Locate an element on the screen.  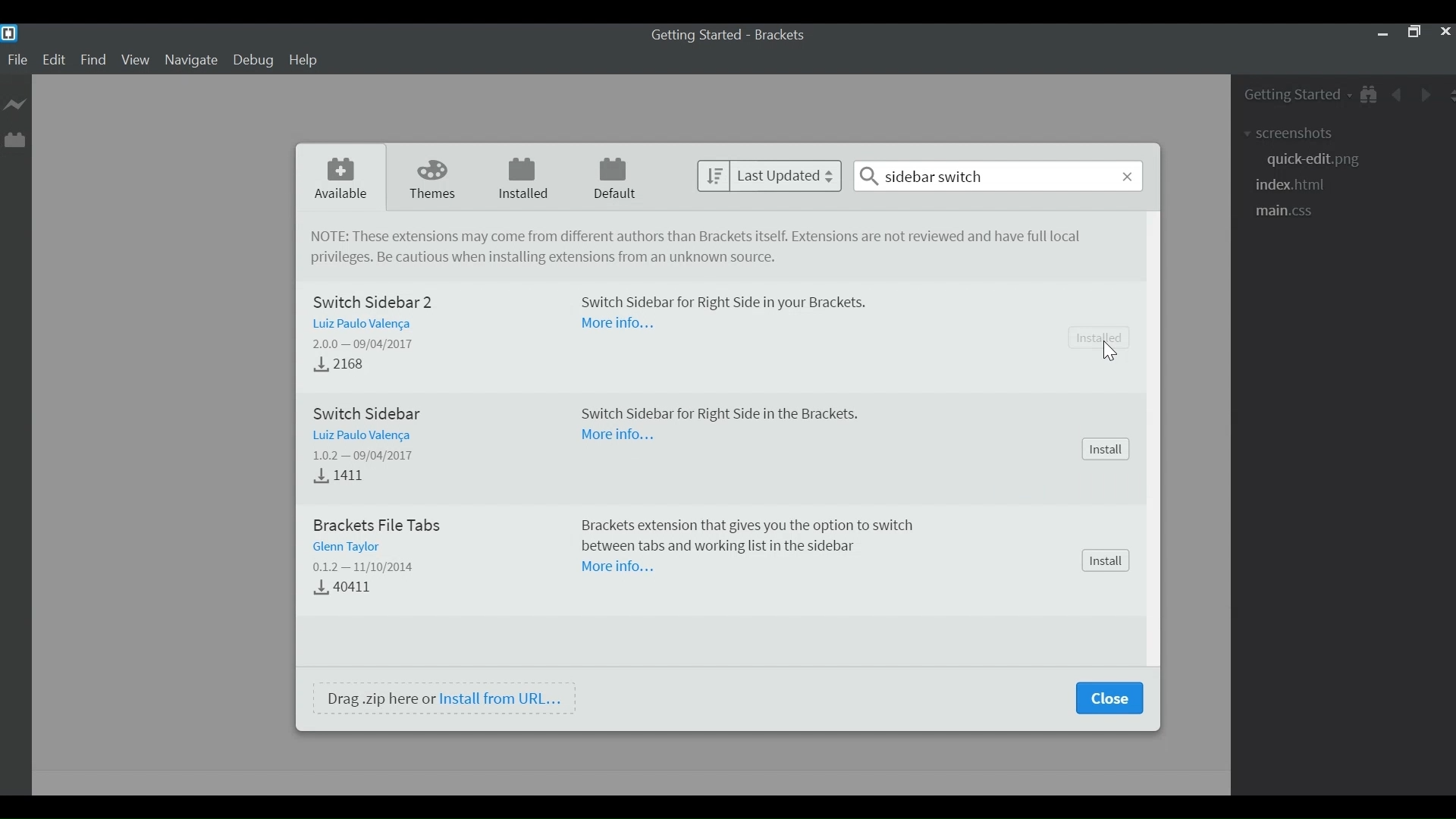
Help is located at coordinates (304, 61).